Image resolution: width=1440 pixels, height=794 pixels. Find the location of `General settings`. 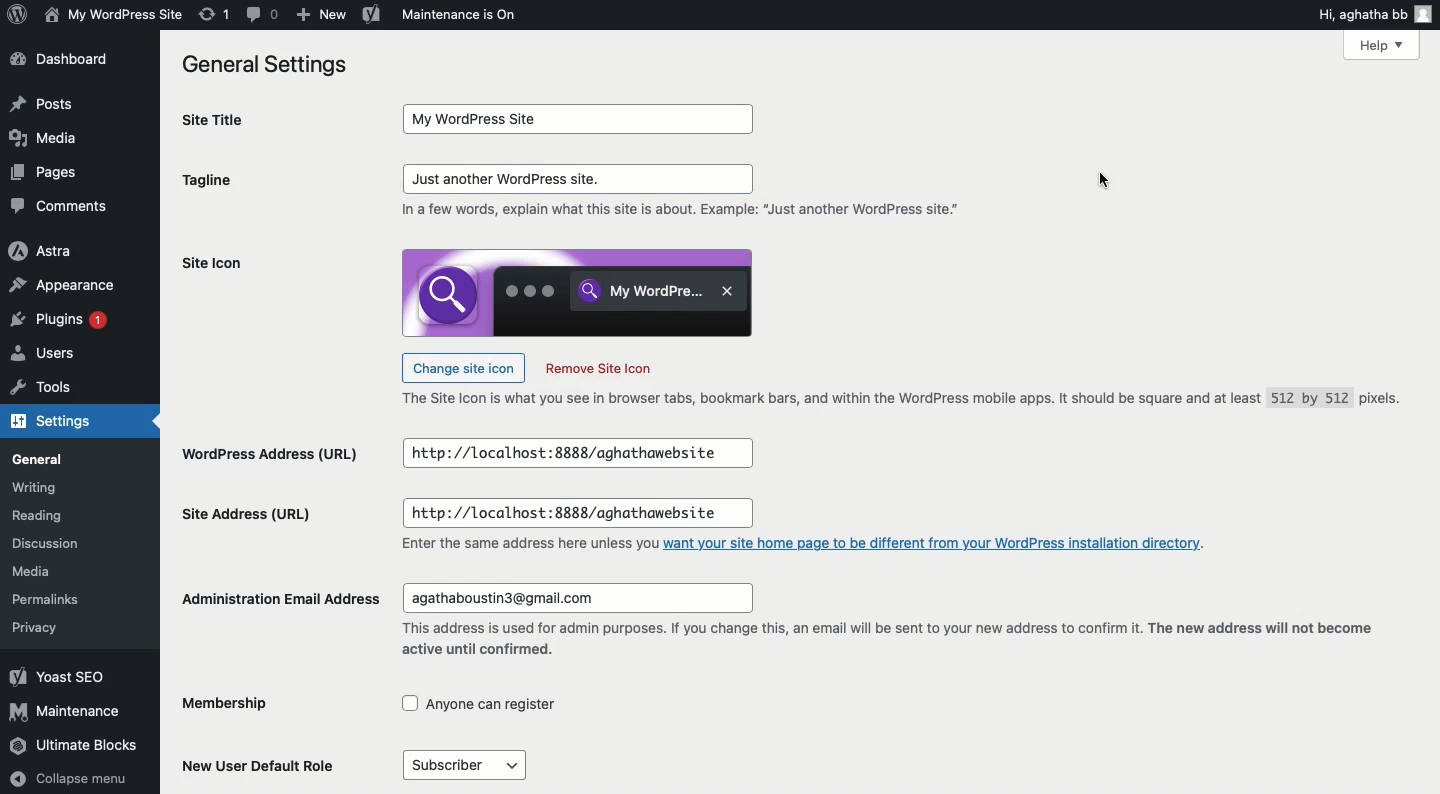

General settings is located at coordinates (272, 66).